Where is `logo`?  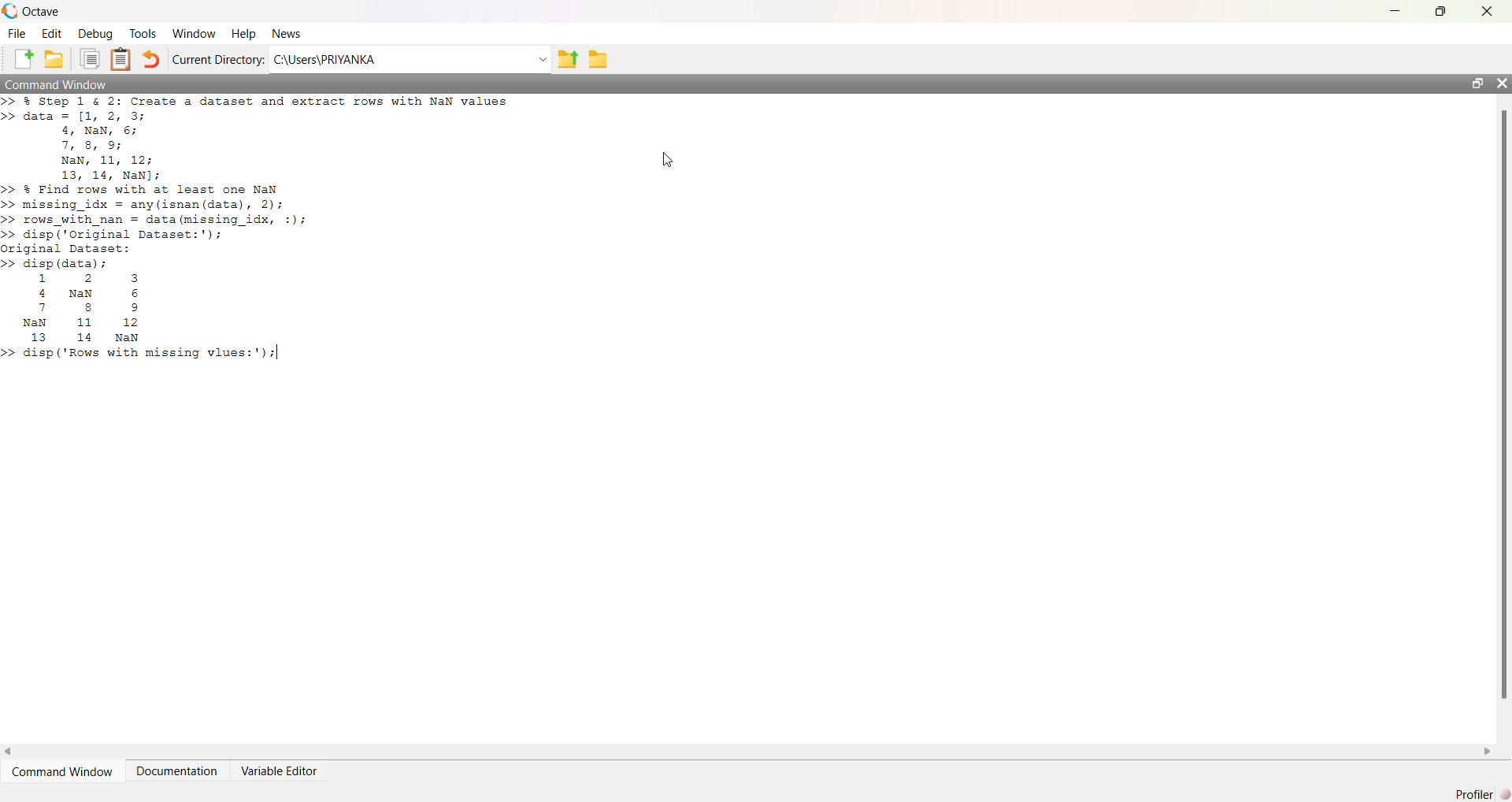 logo is located at coordinates (9, 11).